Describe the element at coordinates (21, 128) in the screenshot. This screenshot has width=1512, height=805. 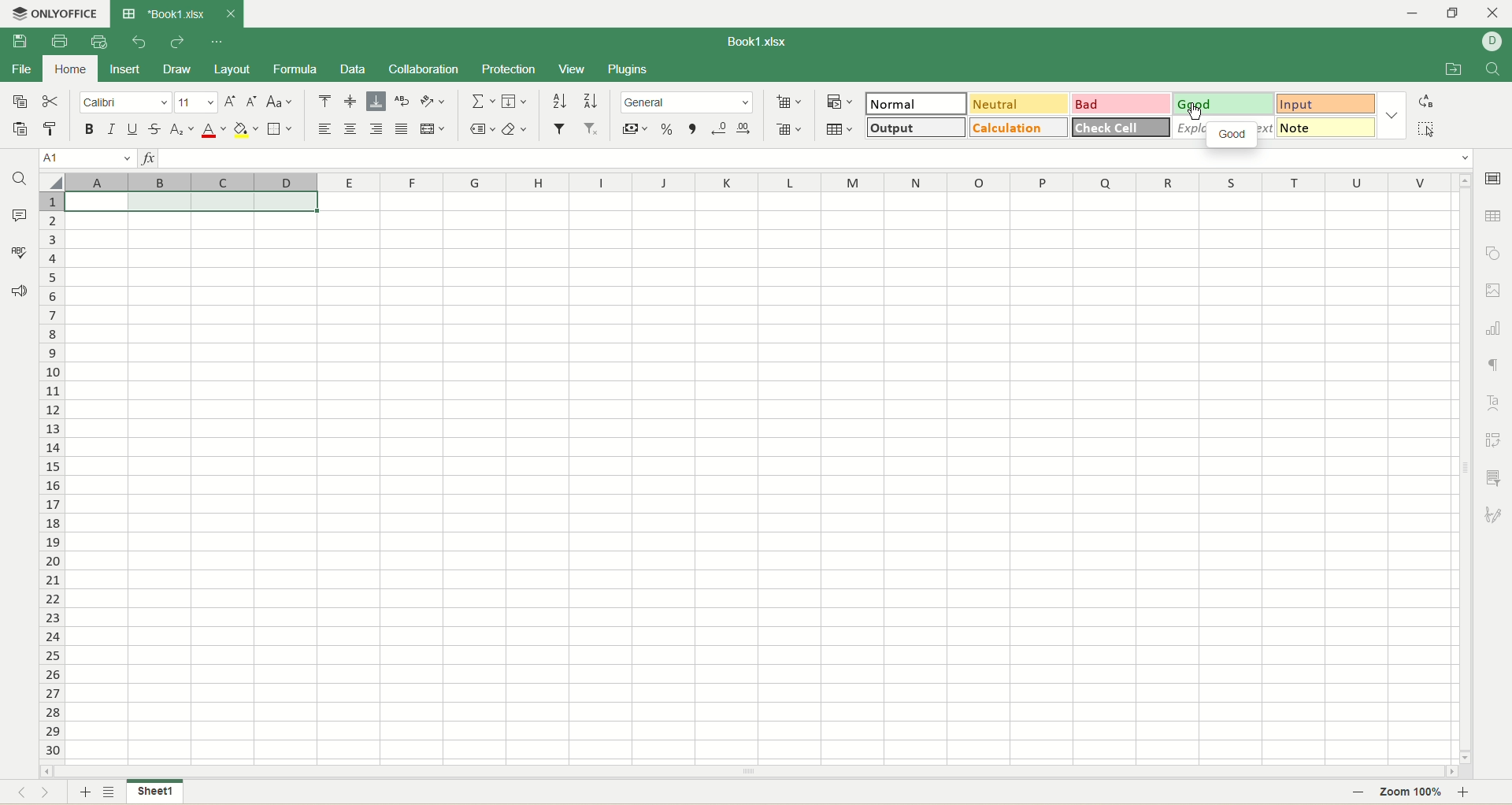
I see `paste` at that location.